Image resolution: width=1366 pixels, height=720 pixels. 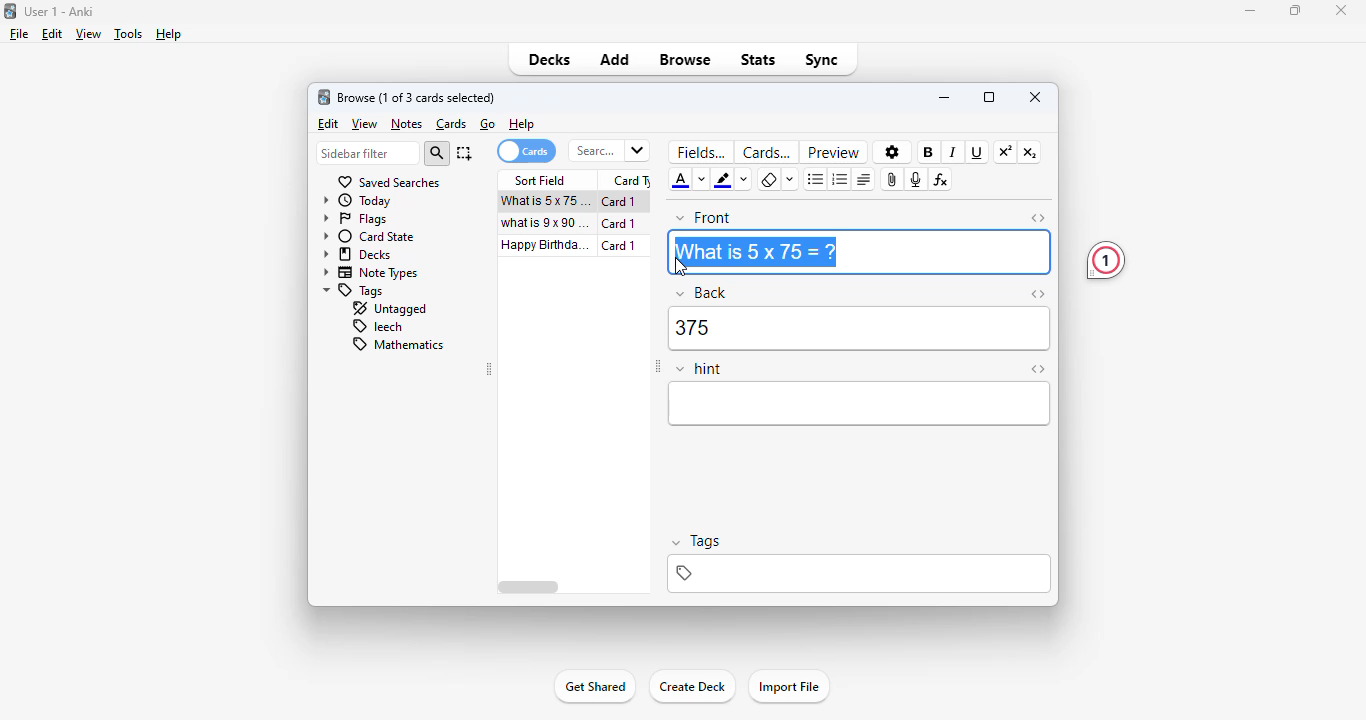 I want to click on toggle sidebar, so click(x=657, y=367).